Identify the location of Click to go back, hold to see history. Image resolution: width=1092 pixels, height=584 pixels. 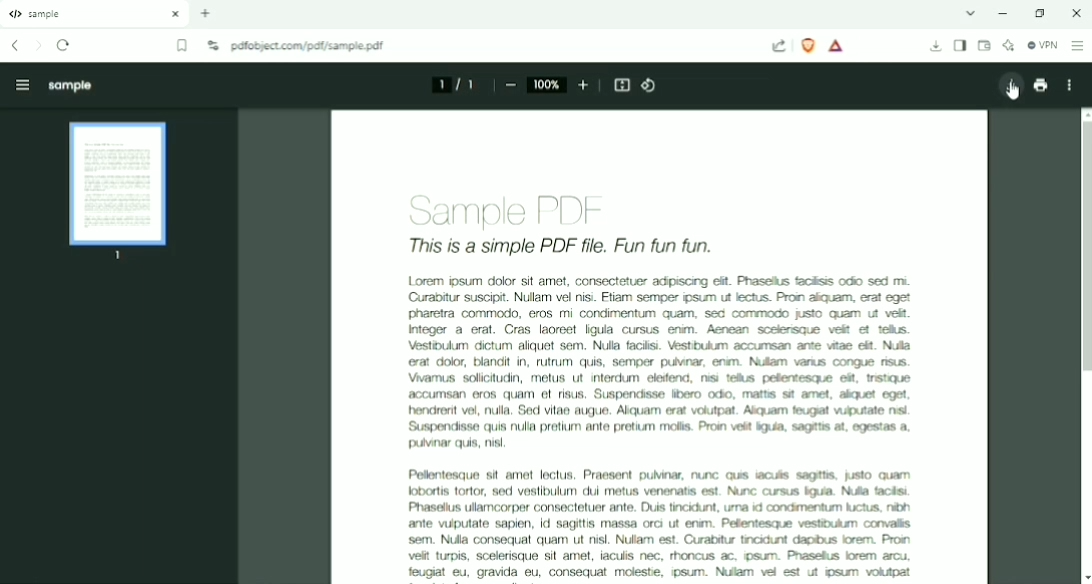
(14, 45).